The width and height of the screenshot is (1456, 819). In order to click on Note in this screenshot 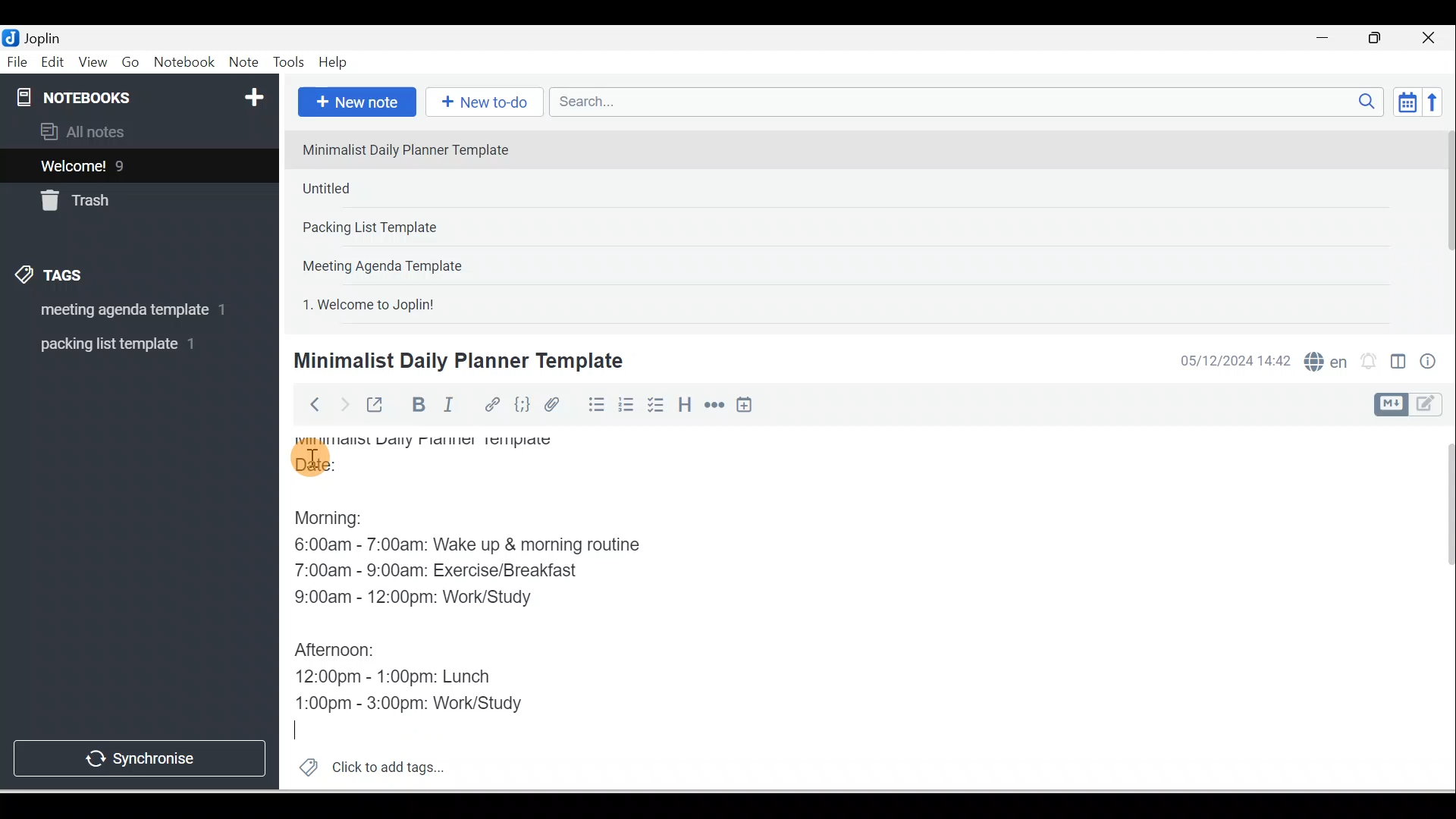, I will do `click(242, 63)`.